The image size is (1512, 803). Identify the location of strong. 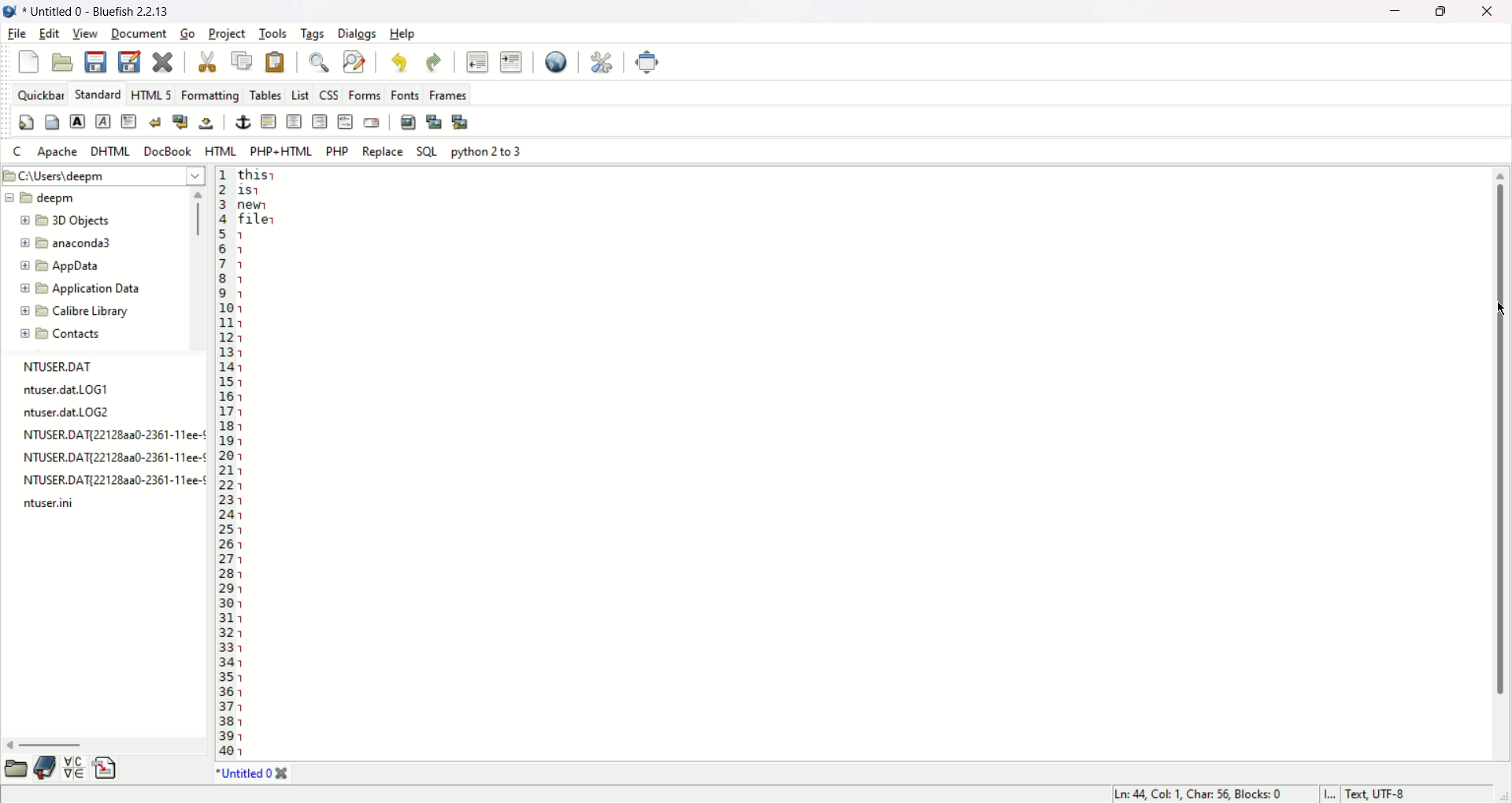
(78, 121).